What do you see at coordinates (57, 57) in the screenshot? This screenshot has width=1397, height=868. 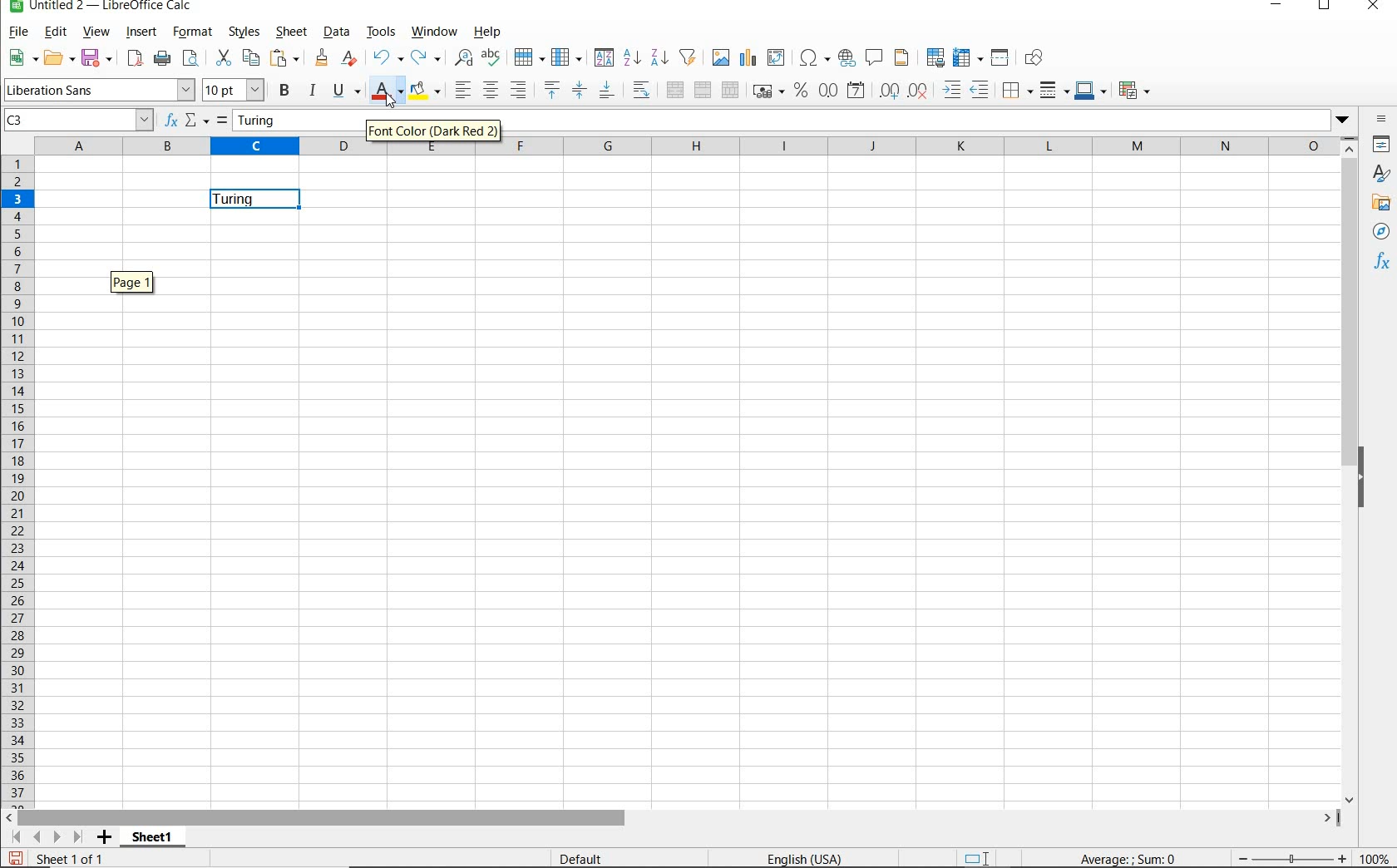 I see `OPEN` at bounding box center [57, 57].